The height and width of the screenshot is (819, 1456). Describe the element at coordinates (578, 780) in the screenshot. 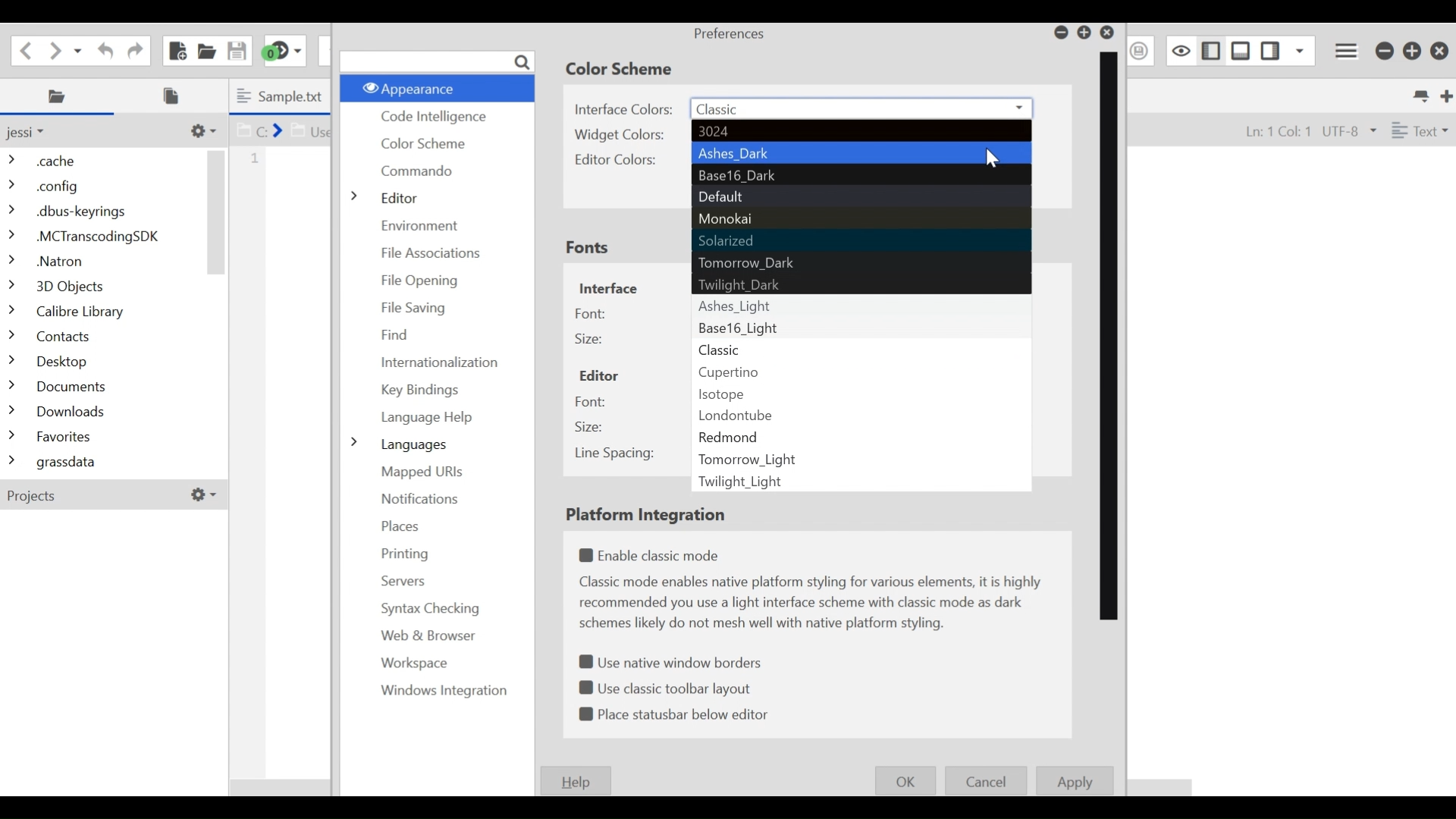

I see `Help` at that location.